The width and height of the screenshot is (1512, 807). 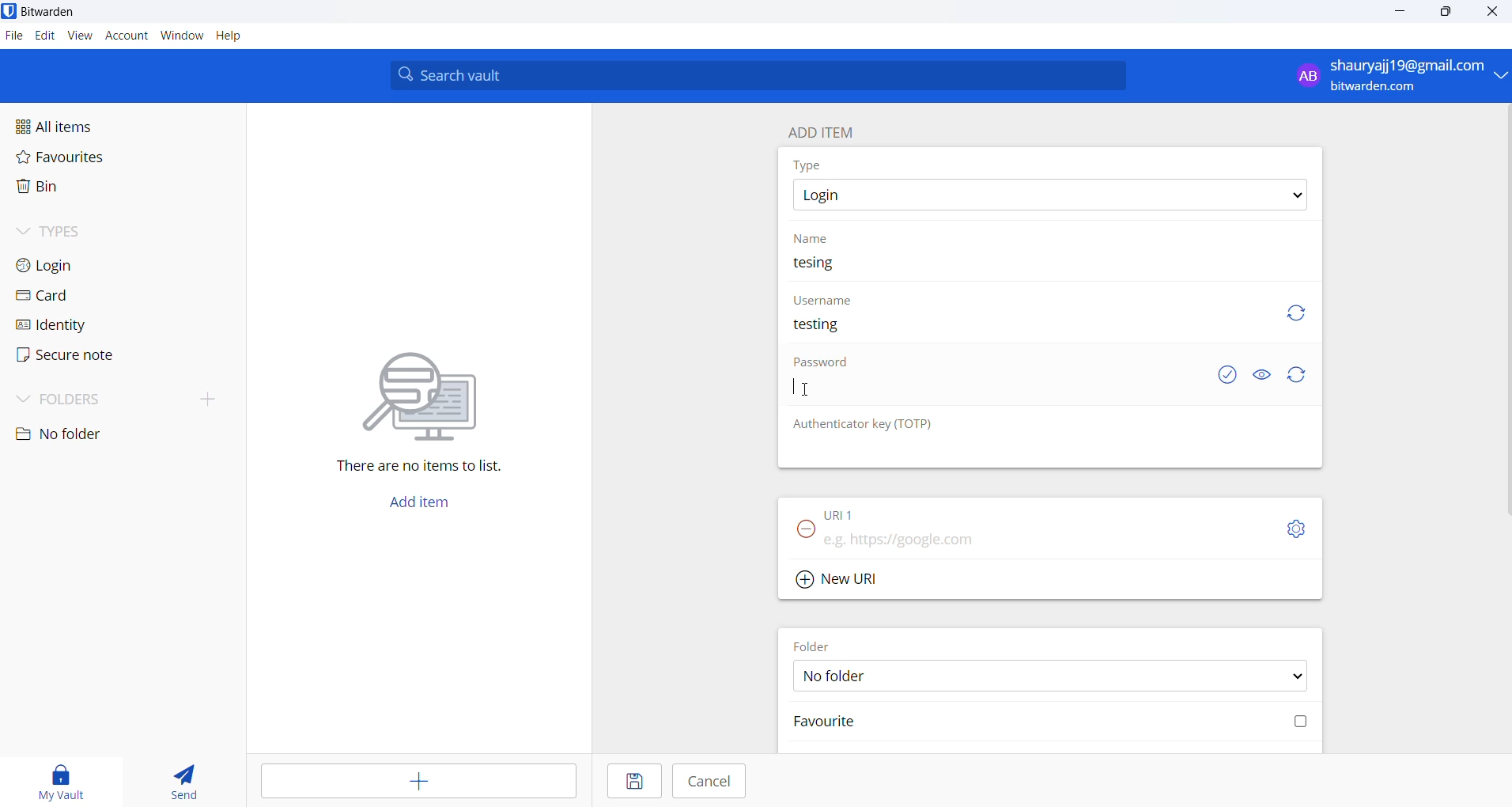 I want to click on save, so click(x=633, y=781).